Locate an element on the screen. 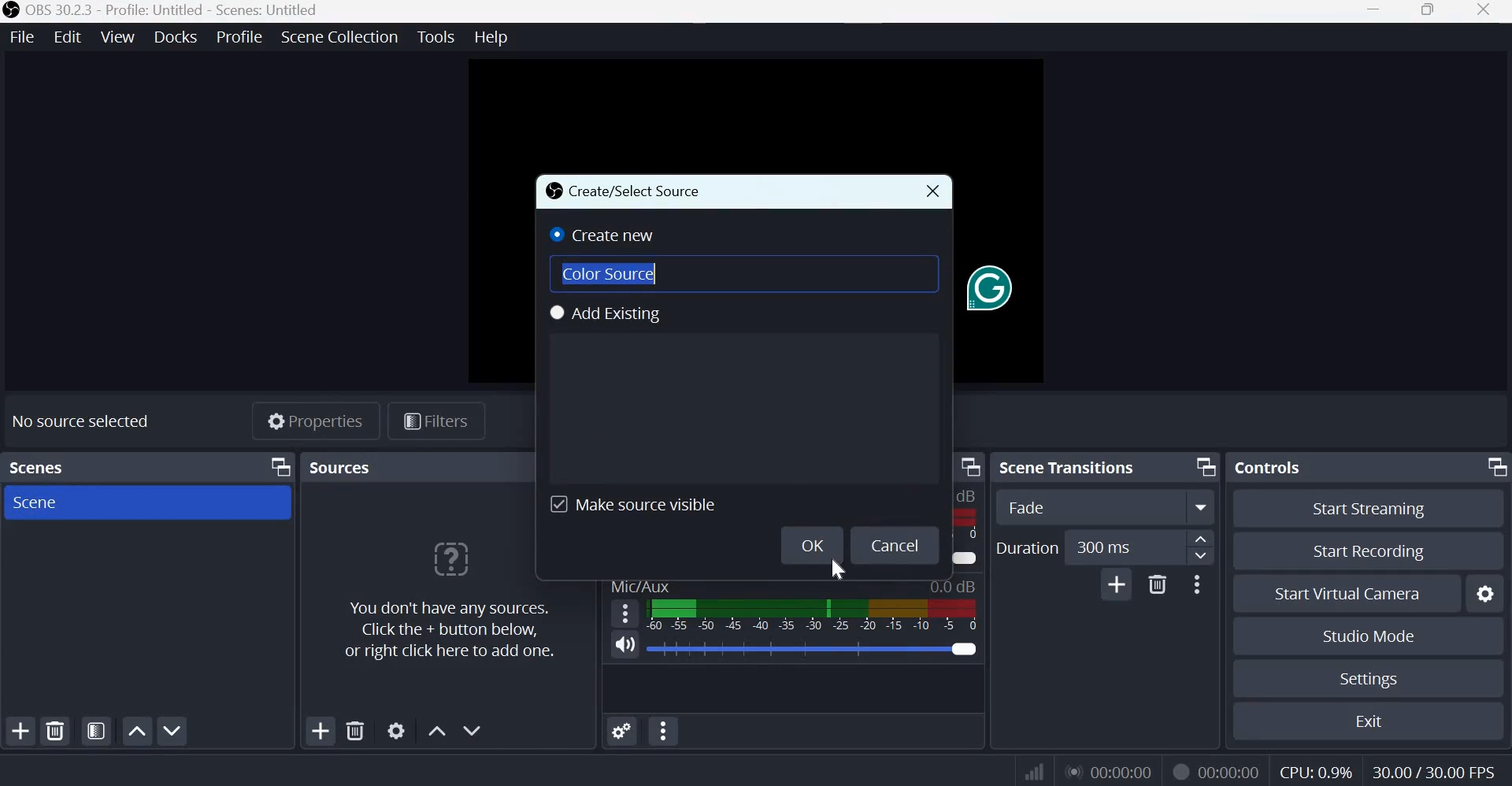 This screenshot has height=786, width=1512. Add existing is located at coordinates (612, 313).